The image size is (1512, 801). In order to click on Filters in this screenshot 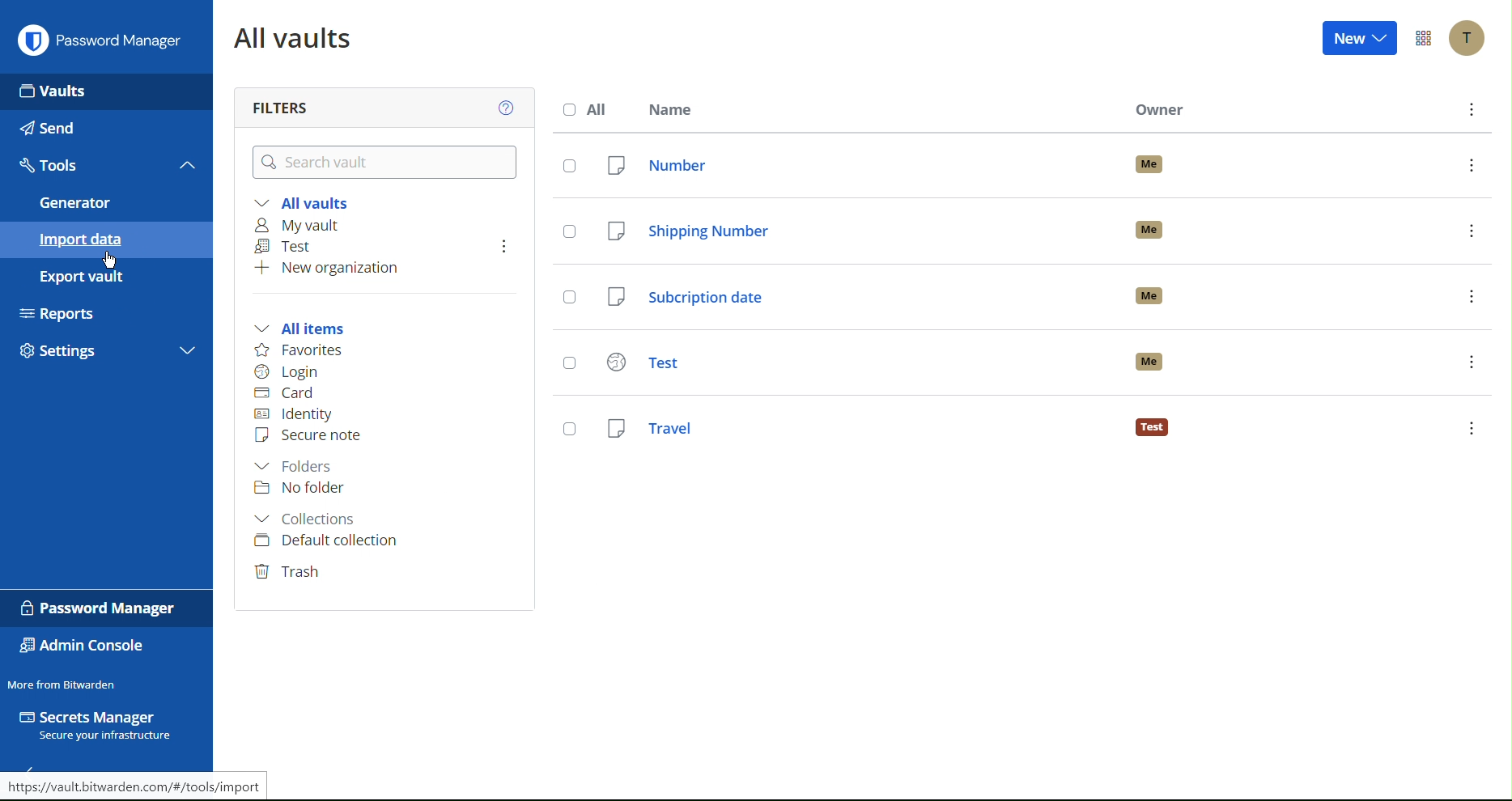, I will do `click(279, 103)`.